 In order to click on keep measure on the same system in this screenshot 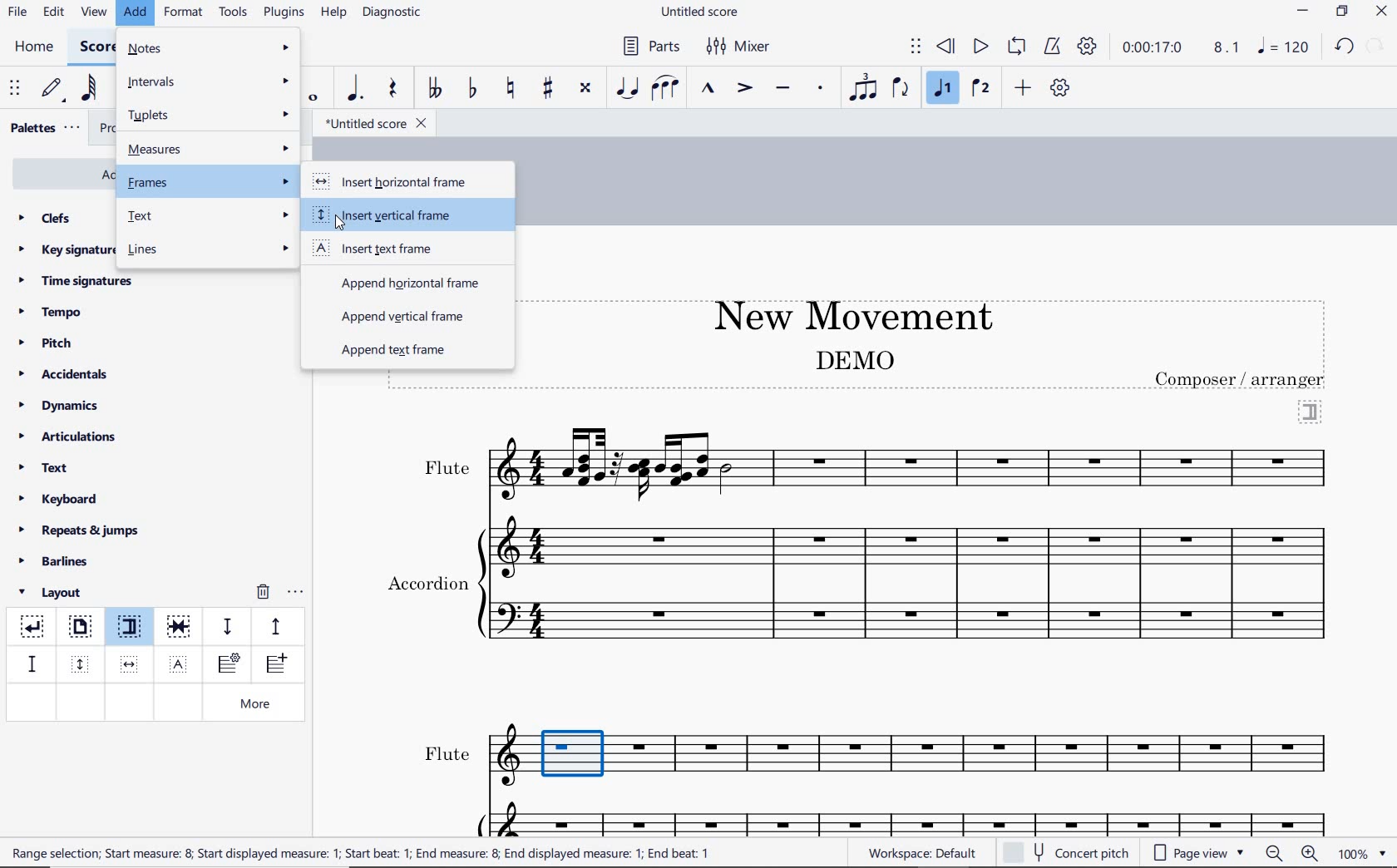, I will do `click(180, 627)`.